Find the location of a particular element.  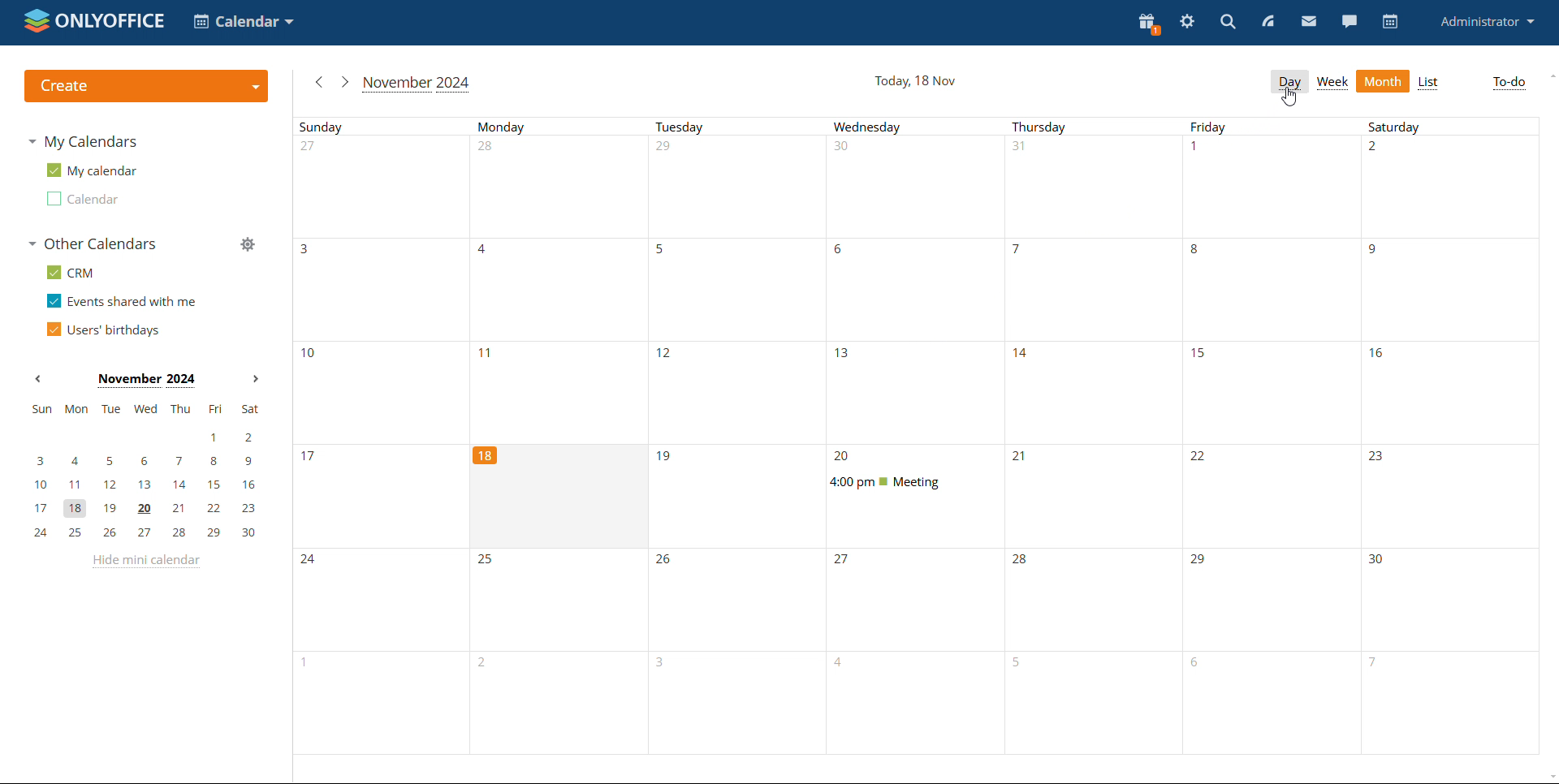

my calendar is located at coordinates (91, 170).